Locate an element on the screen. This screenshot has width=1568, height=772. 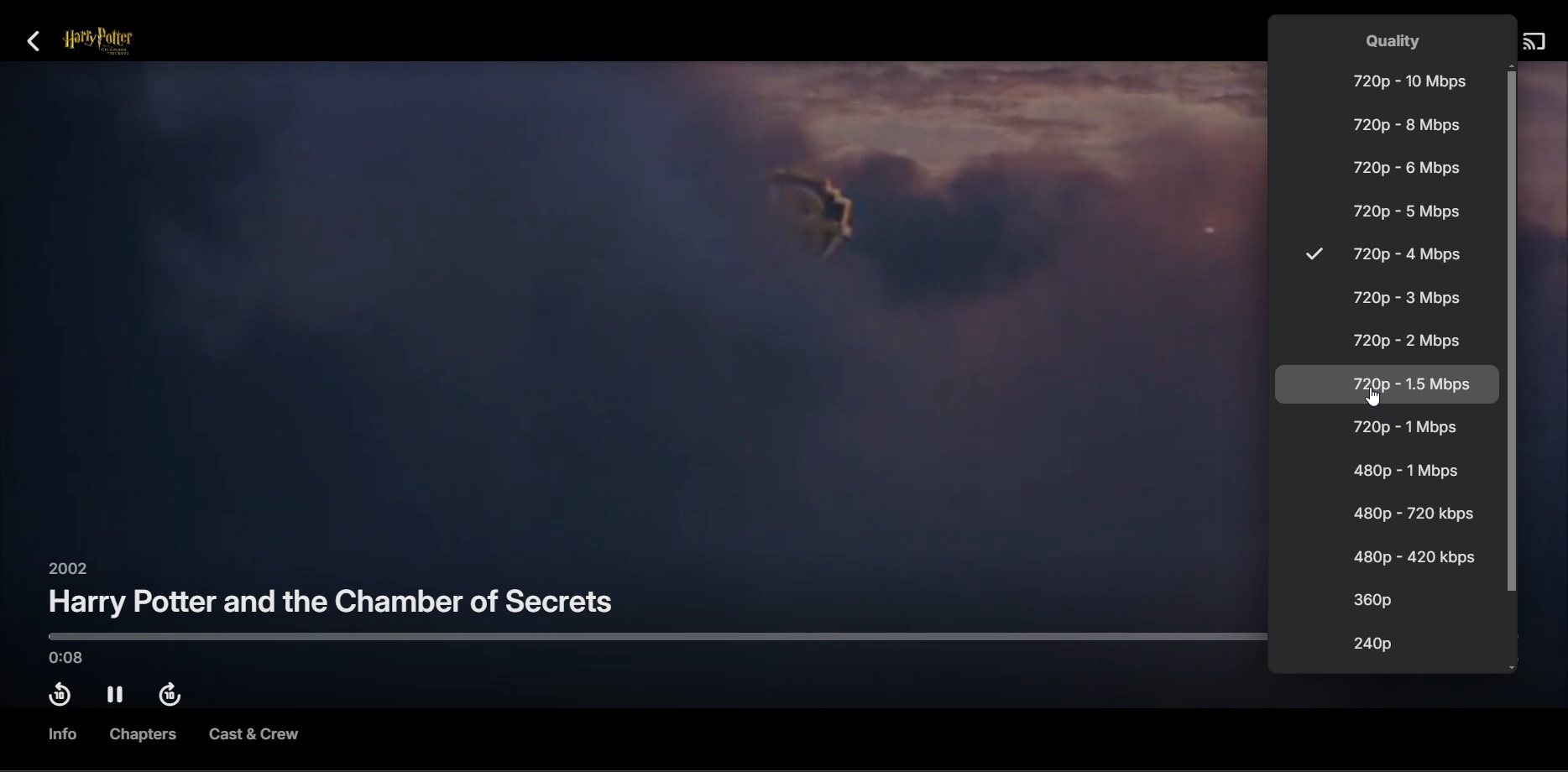
Elapsed Time is located at coordinates (76, 657).